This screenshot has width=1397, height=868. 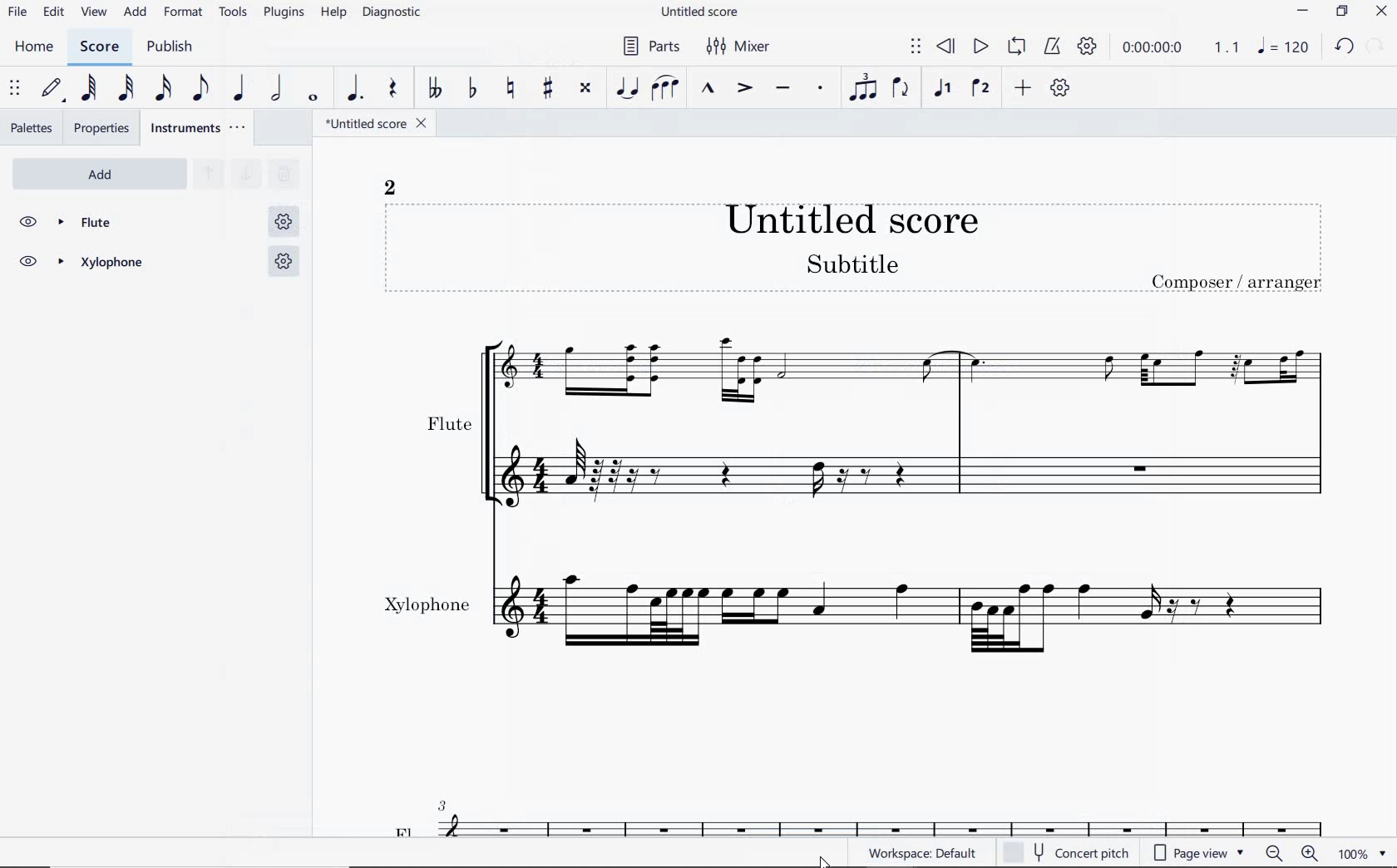 What do you see at coordinates (394, 87) in the screenshot?
I see `REST` at bounding box center [394, 87].